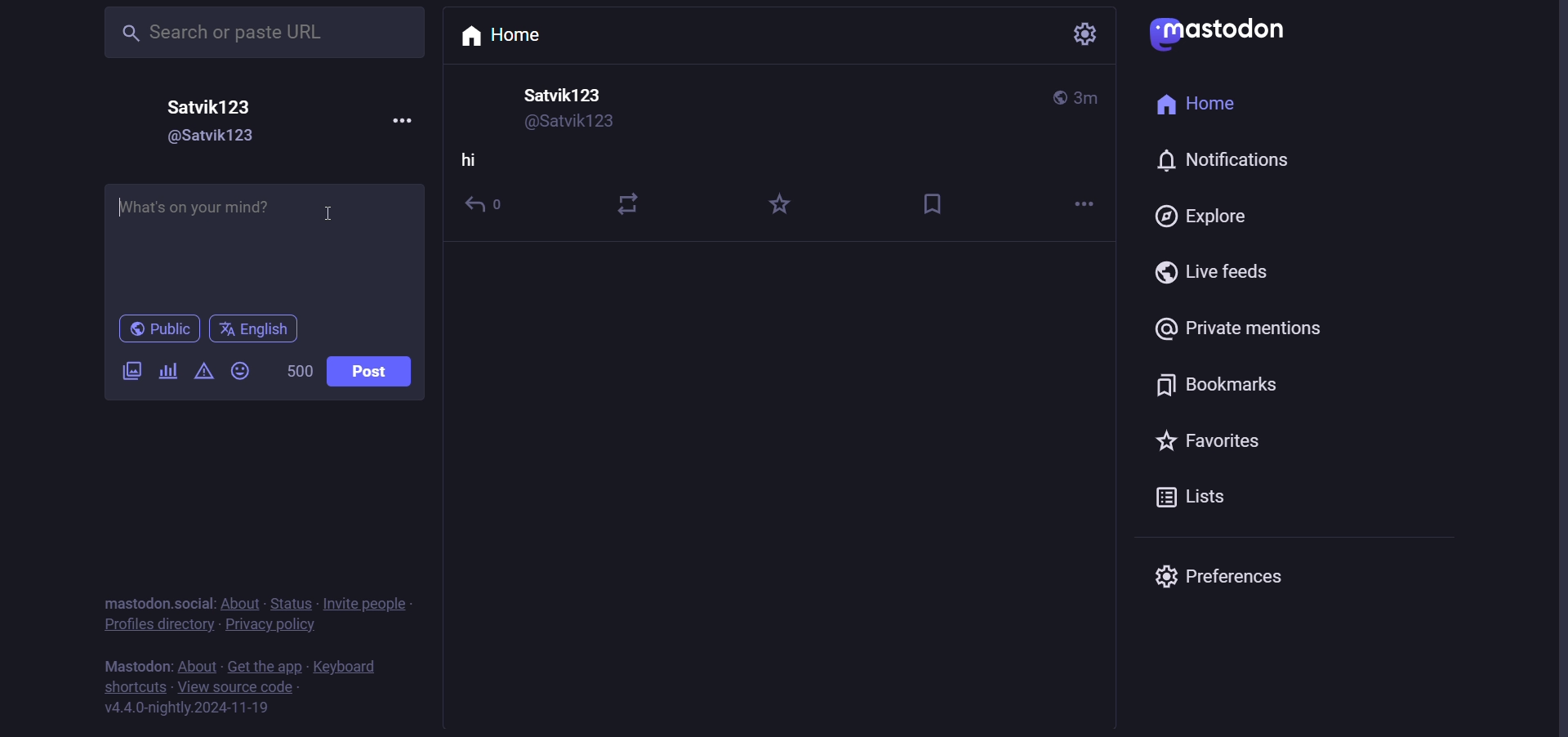 The width and height of the screenshot is (1568, 737). Describe the element at coordinates (299, 370) in the screenshot. I see `word limit` at that location.